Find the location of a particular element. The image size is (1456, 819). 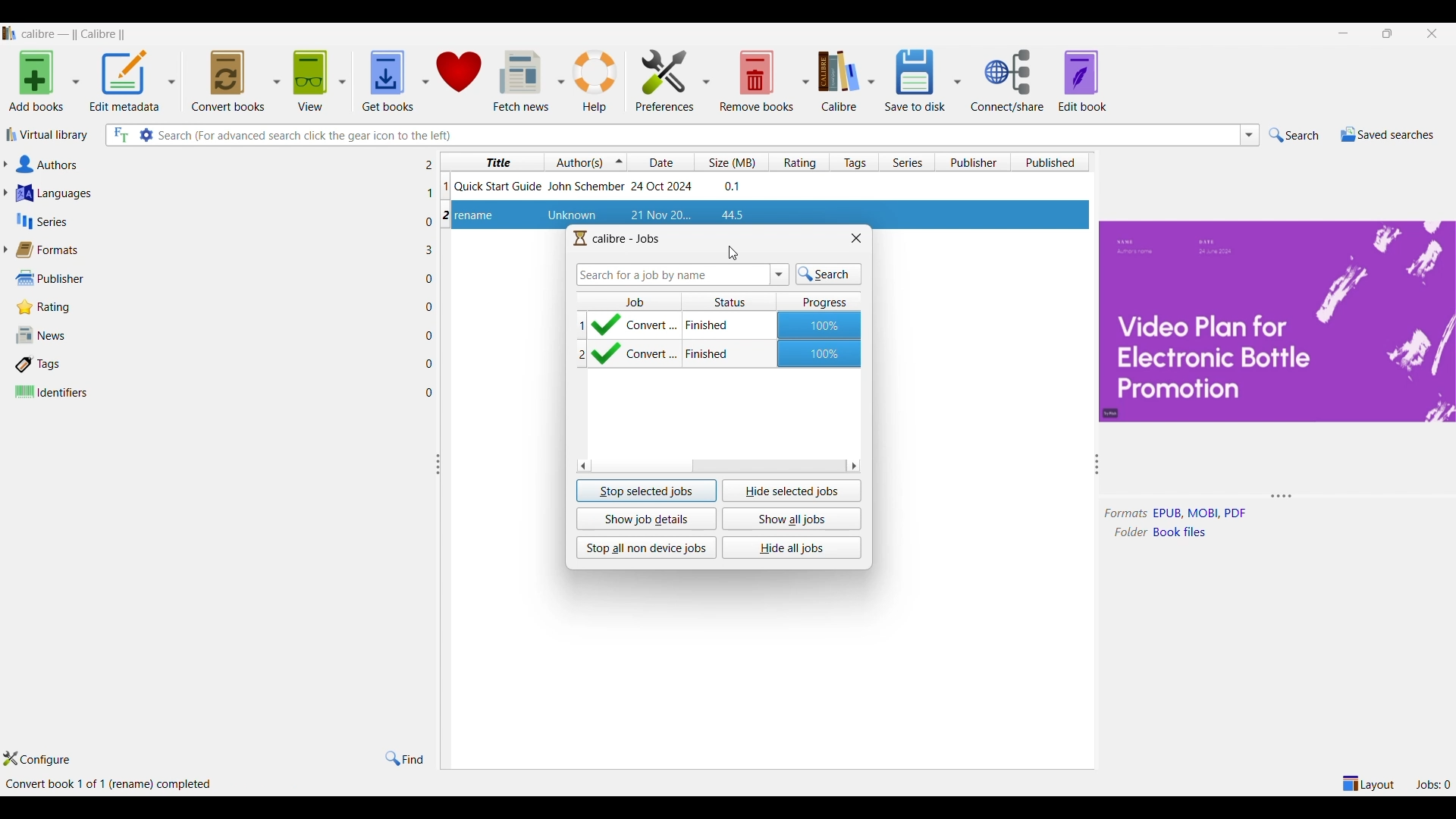

Edit book is located at coordinates (1082, 81).